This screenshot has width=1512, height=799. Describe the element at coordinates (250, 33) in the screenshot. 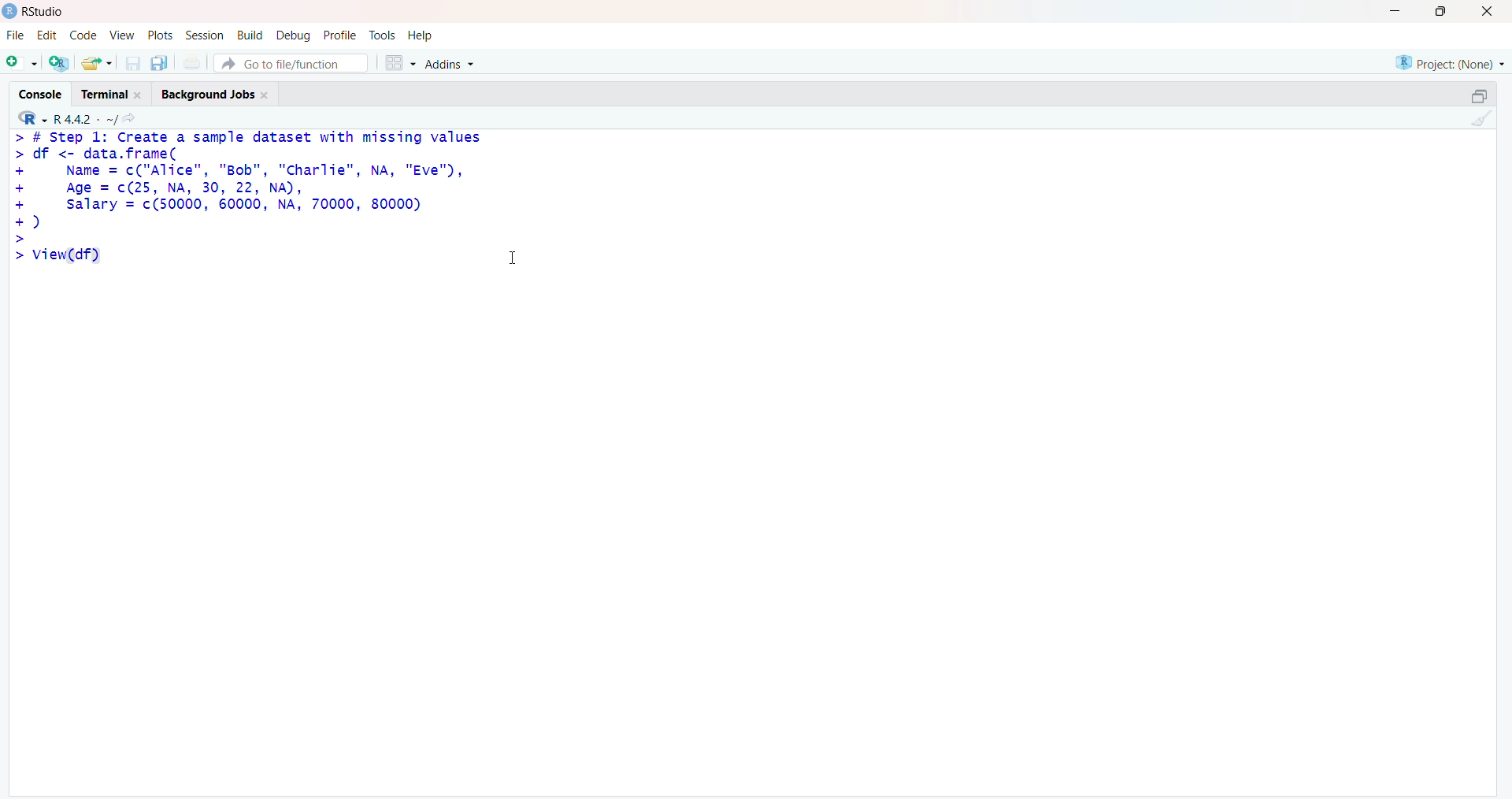

I see `Build` at that location.